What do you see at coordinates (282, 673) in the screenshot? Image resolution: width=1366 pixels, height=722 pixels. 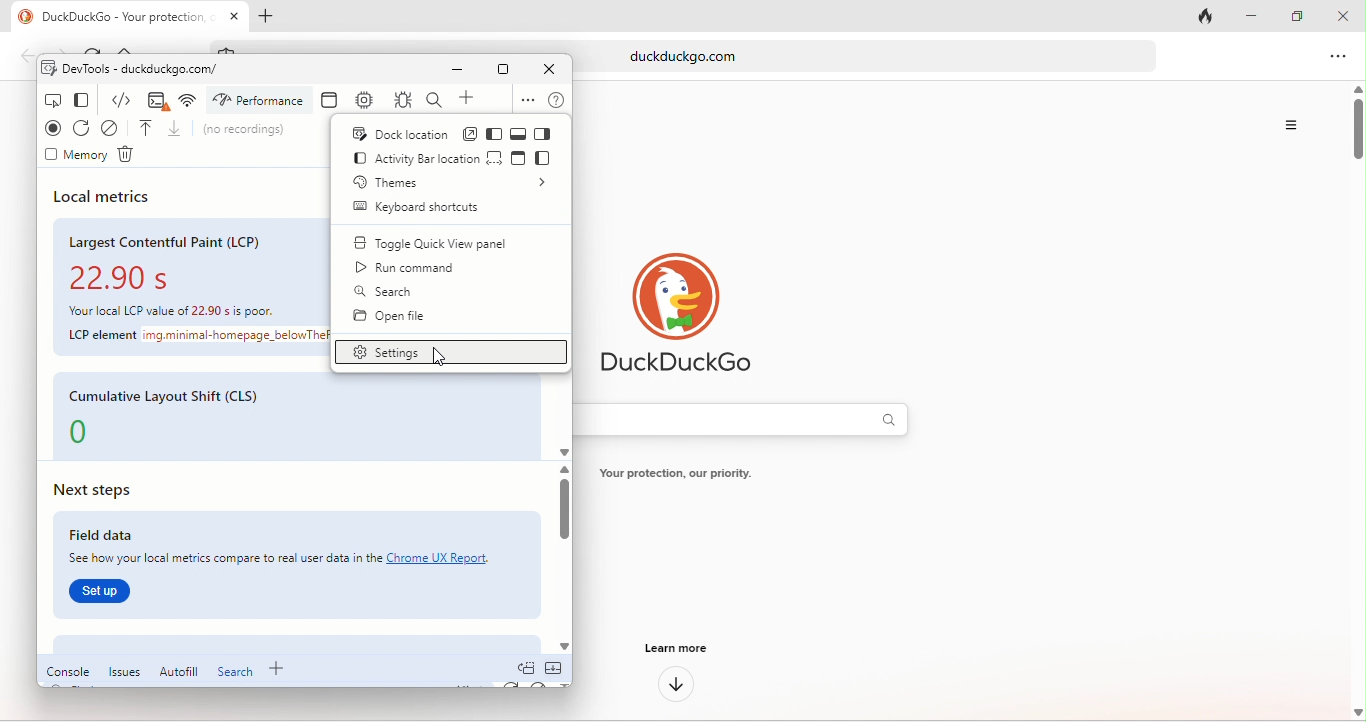 I see `add` at bounding box center [282, 673].